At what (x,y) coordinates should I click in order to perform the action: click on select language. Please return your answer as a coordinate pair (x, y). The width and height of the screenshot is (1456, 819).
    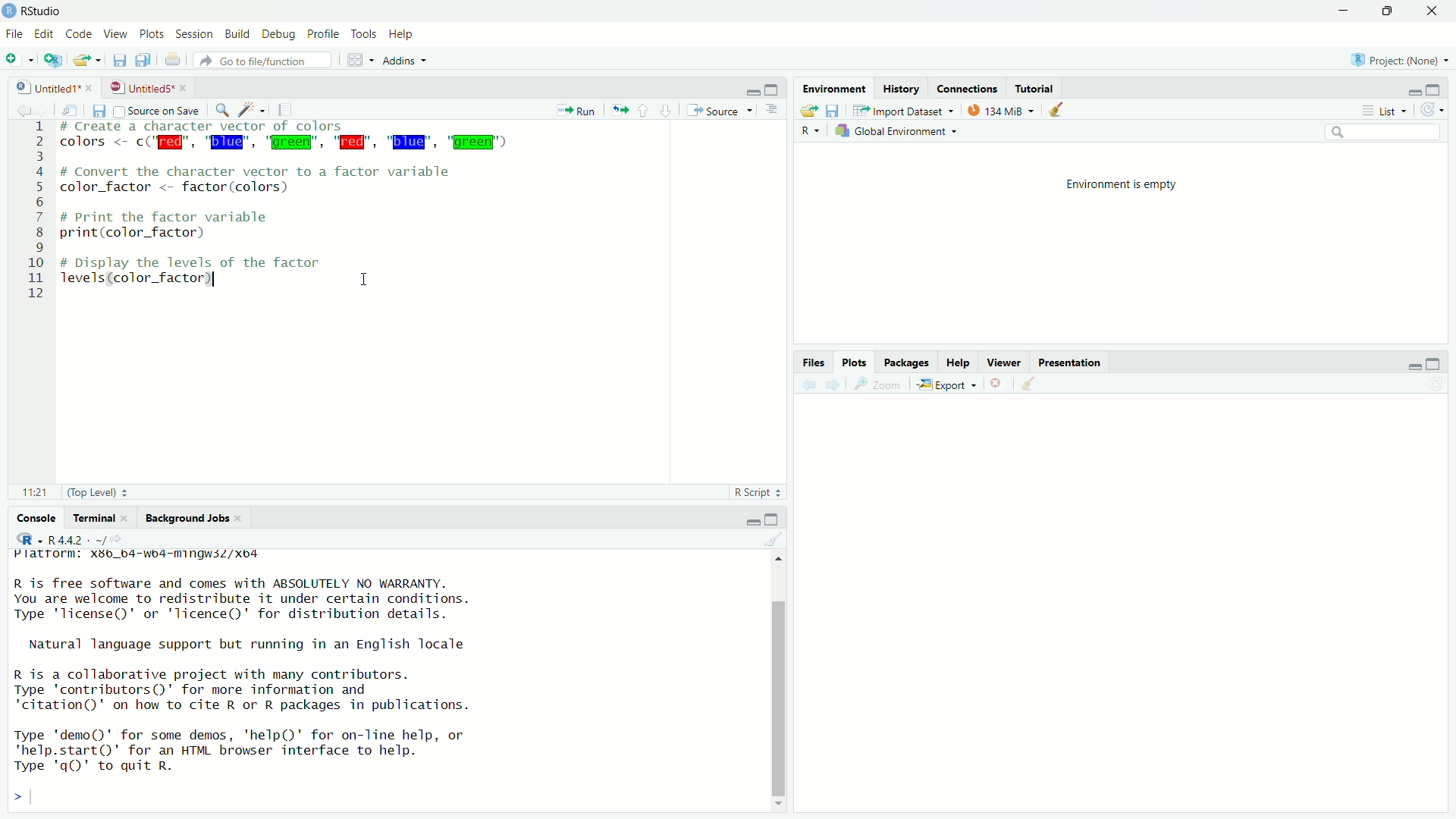
    Looking at the image, I should click on (23, 541).